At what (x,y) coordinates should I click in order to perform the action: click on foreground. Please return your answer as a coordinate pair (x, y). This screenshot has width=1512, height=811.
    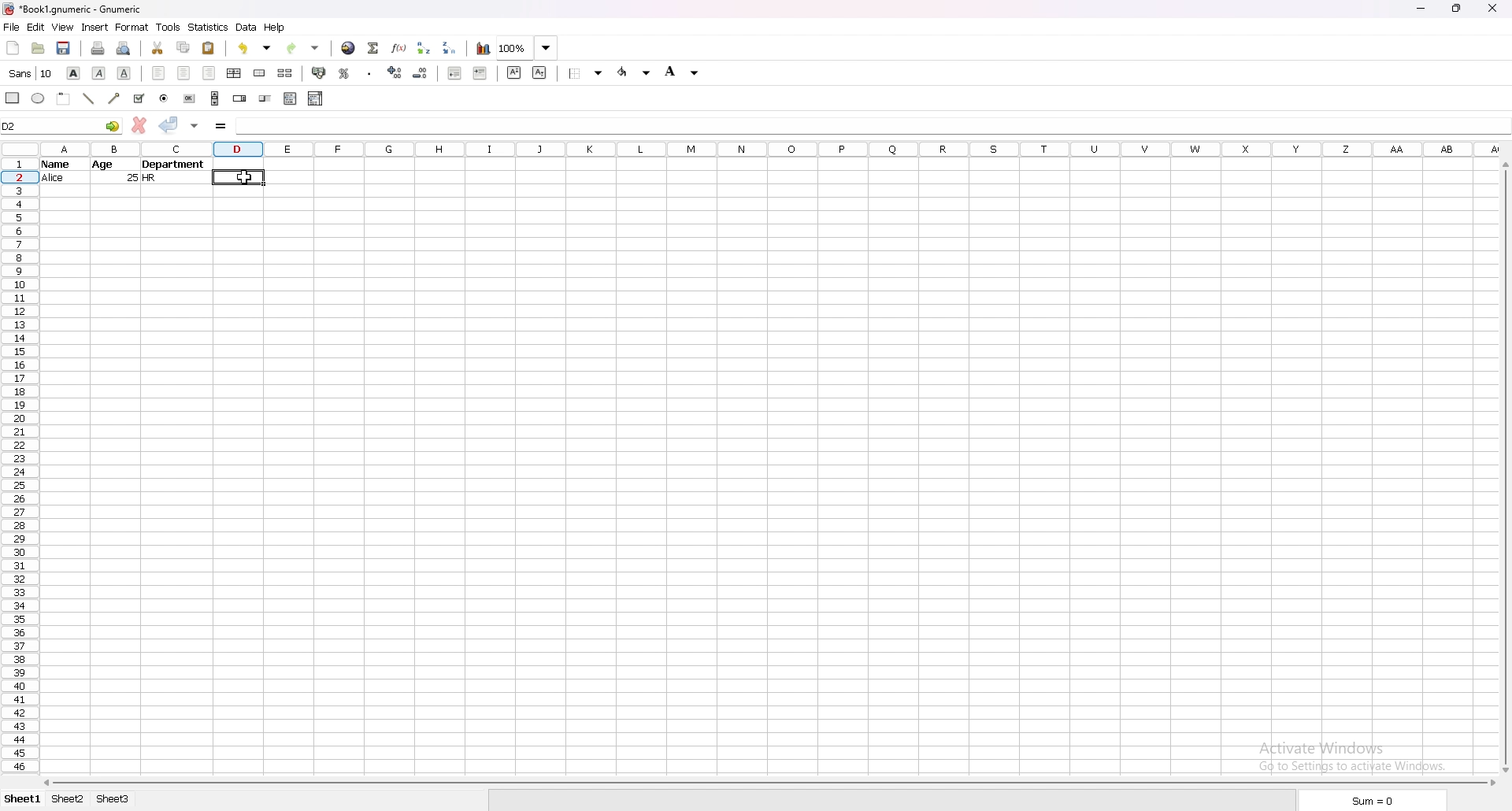
    Looking at the image, I should click on (635, 72).